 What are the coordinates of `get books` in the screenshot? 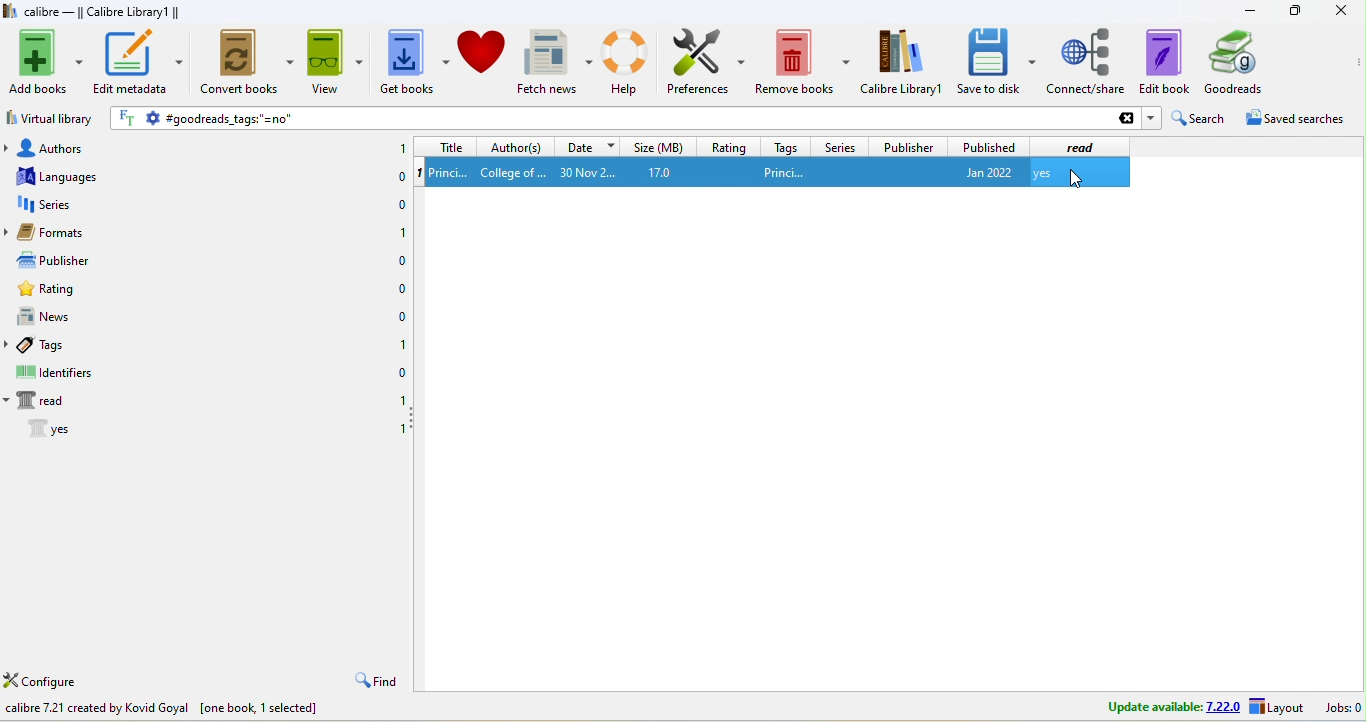 It's located at (414, 61).